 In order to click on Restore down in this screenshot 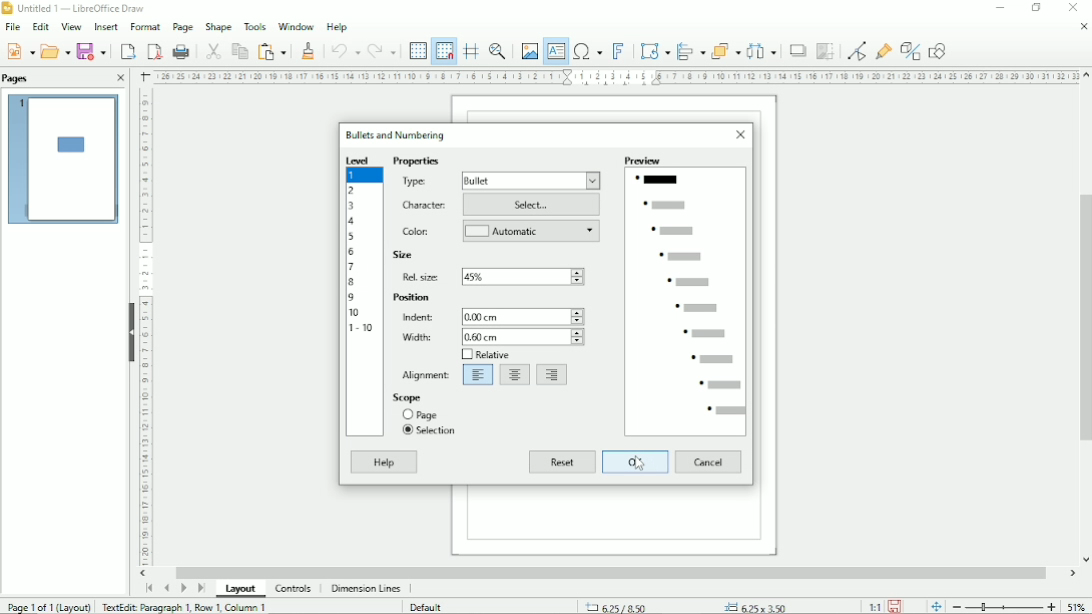, I will do `click(1037, 8)`.